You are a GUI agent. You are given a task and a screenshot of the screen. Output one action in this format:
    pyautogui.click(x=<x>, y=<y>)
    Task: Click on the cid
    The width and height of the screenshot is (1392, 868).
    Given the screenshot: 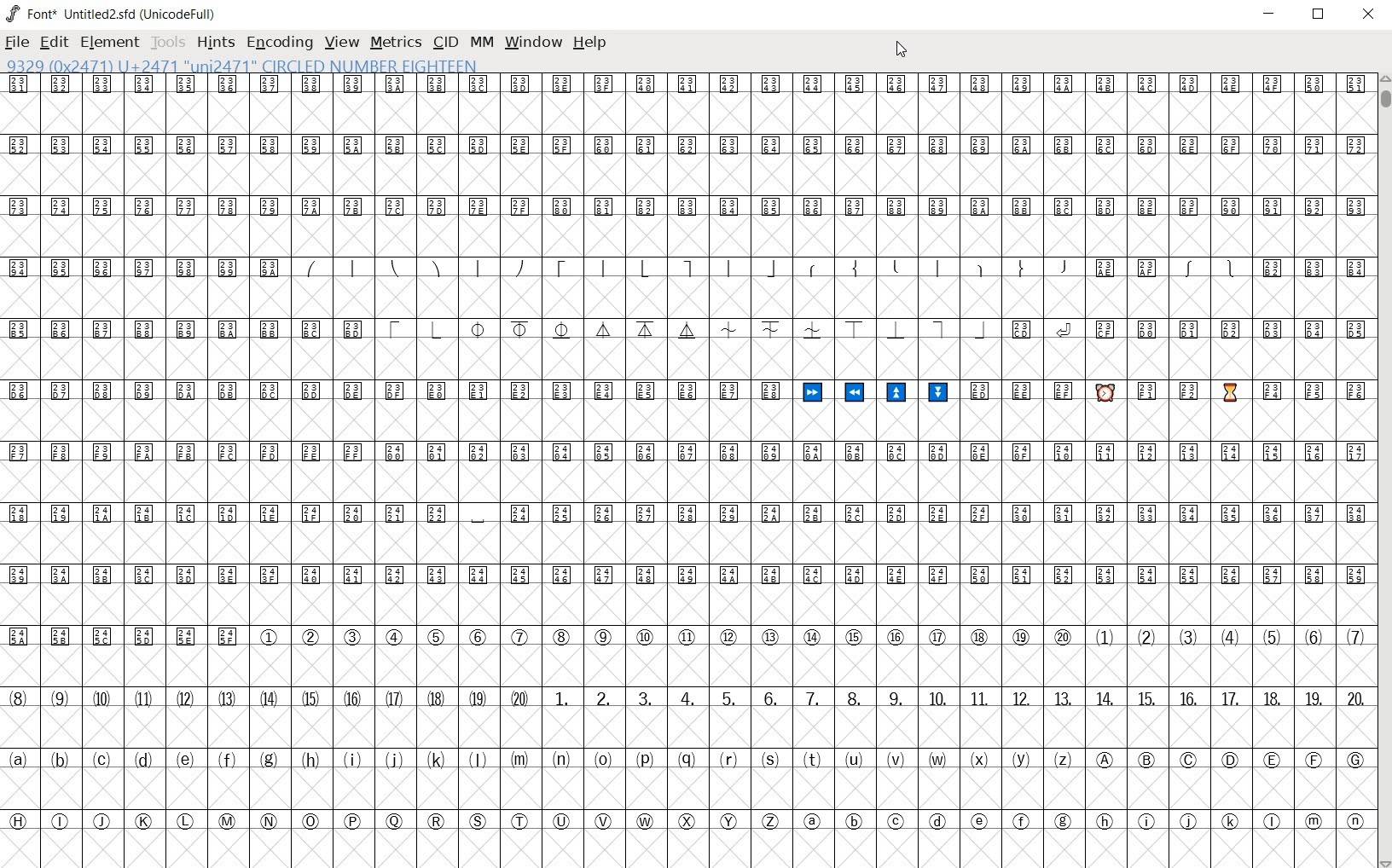 What is the action you would take?
    pyautogui.click(x=445, y=41)
    